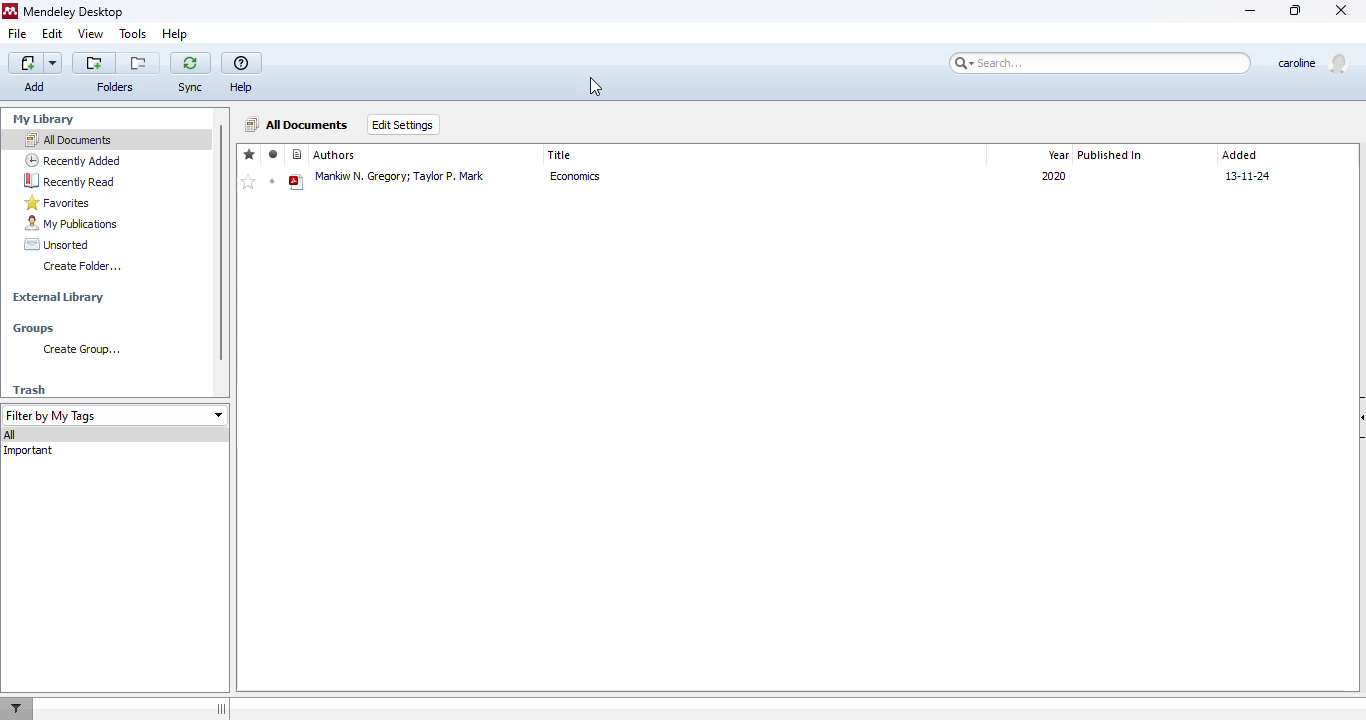 The image size is (1366, 720). I want to click on mendeley logo, so click(10, 11).